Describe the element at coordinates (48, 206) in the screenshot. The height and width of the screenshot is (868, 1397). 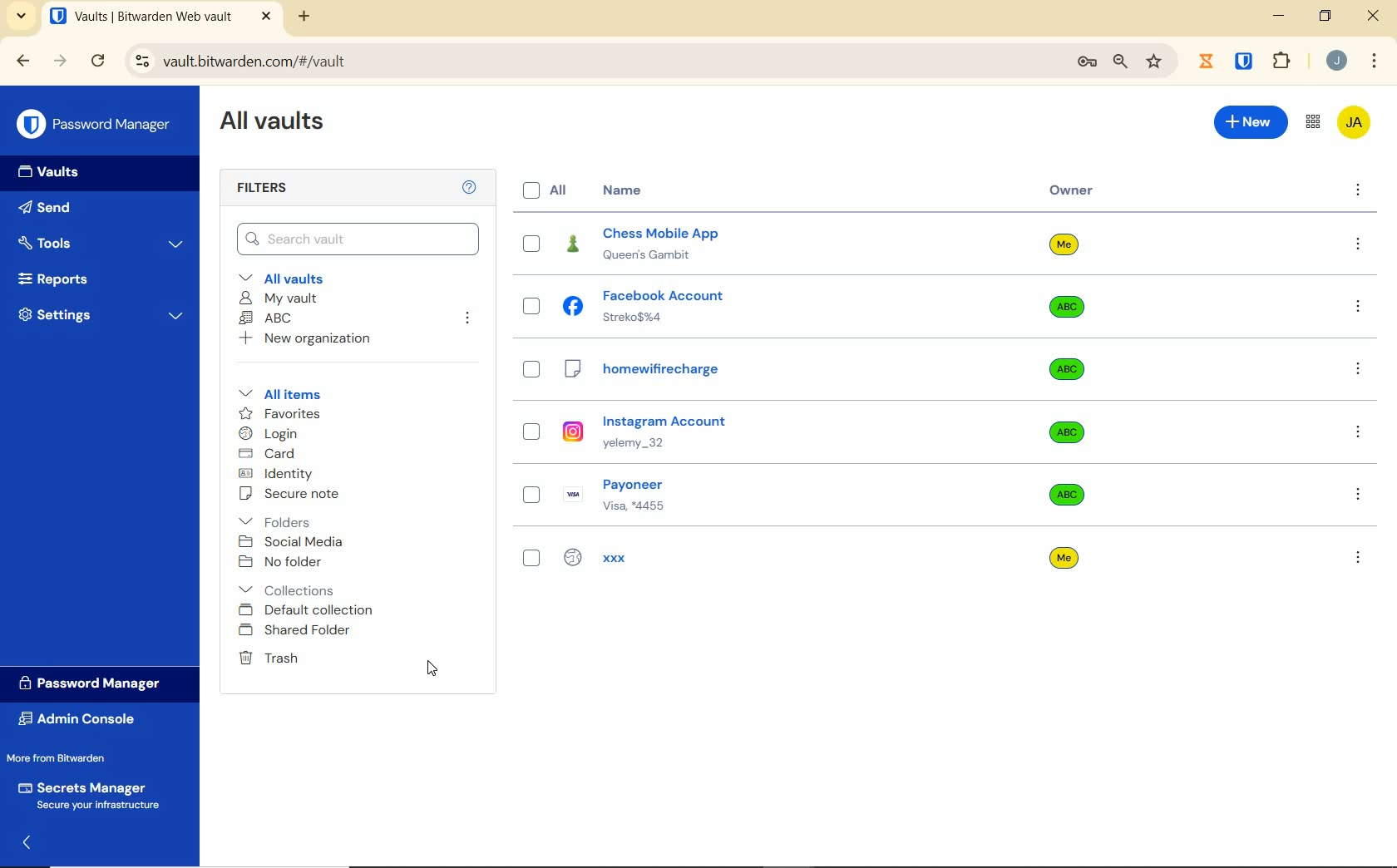
I see `Send` at that location.